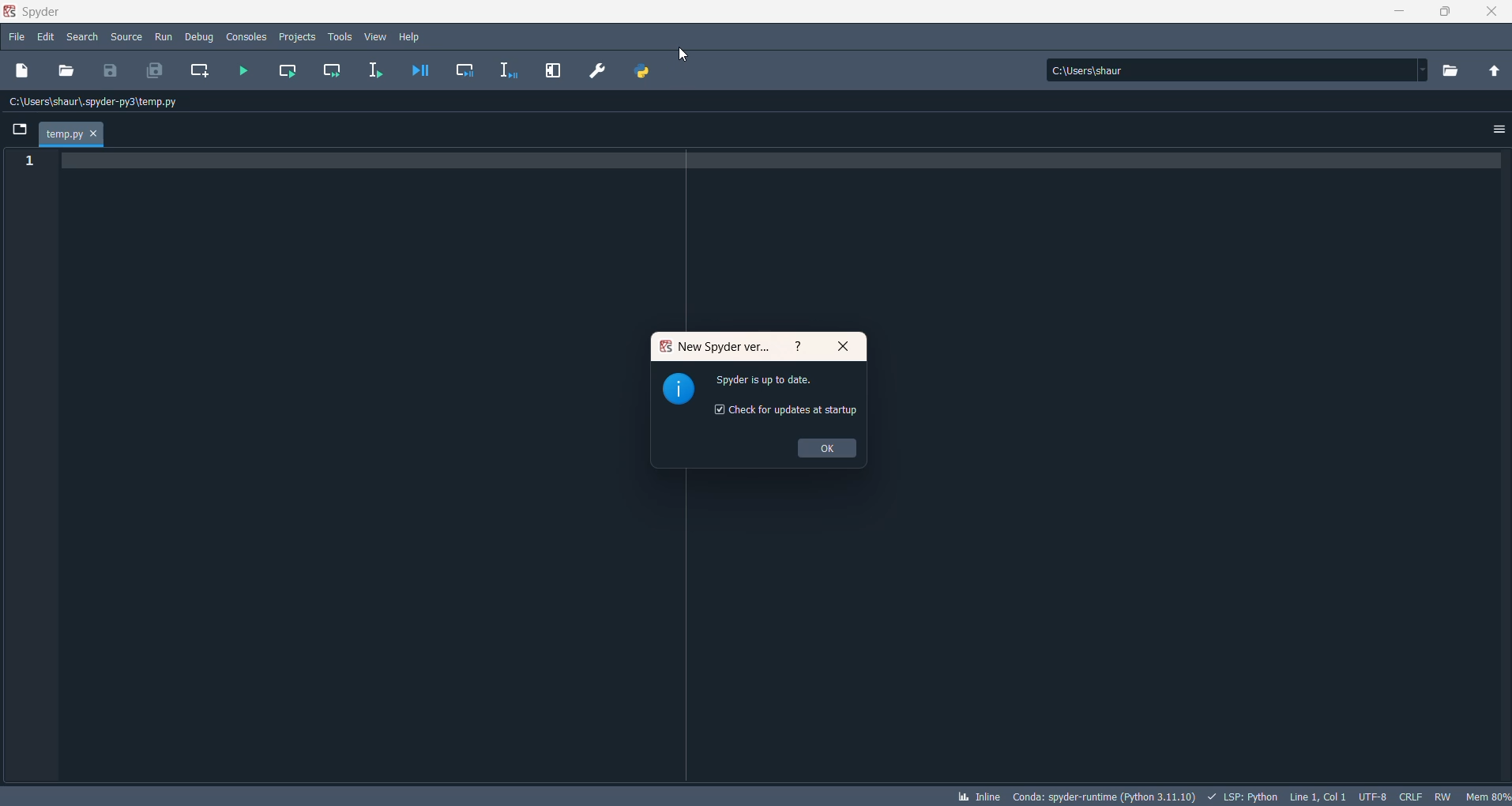 Image resolution: width=1512 pixels, height=806 pixels. What do you see at coordinates (377, 71) in the screenshot?
I see `run selection ` at bounding box center [377, 71].